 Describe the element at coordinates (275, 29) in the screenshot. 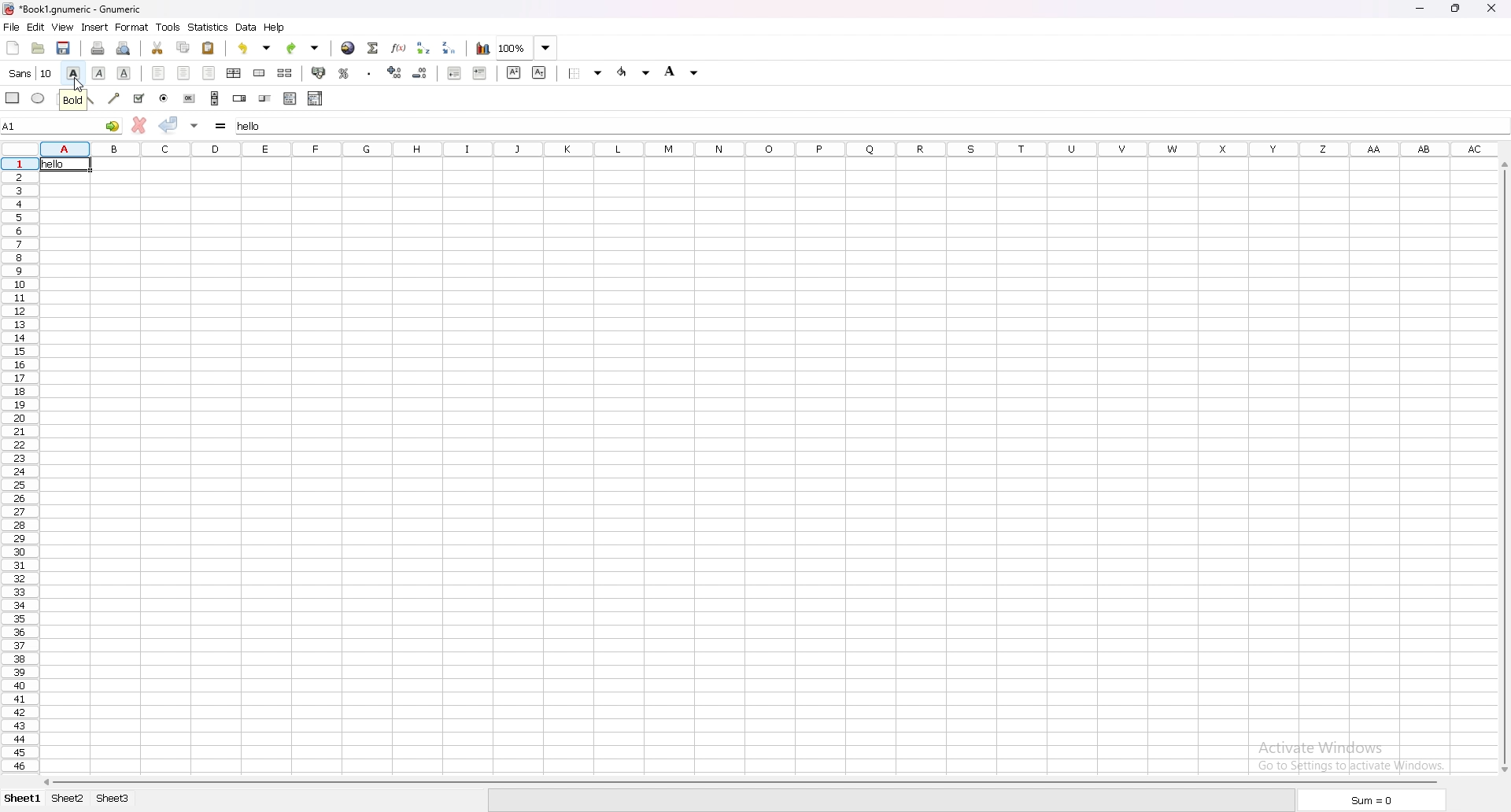

I see `help` at that location.